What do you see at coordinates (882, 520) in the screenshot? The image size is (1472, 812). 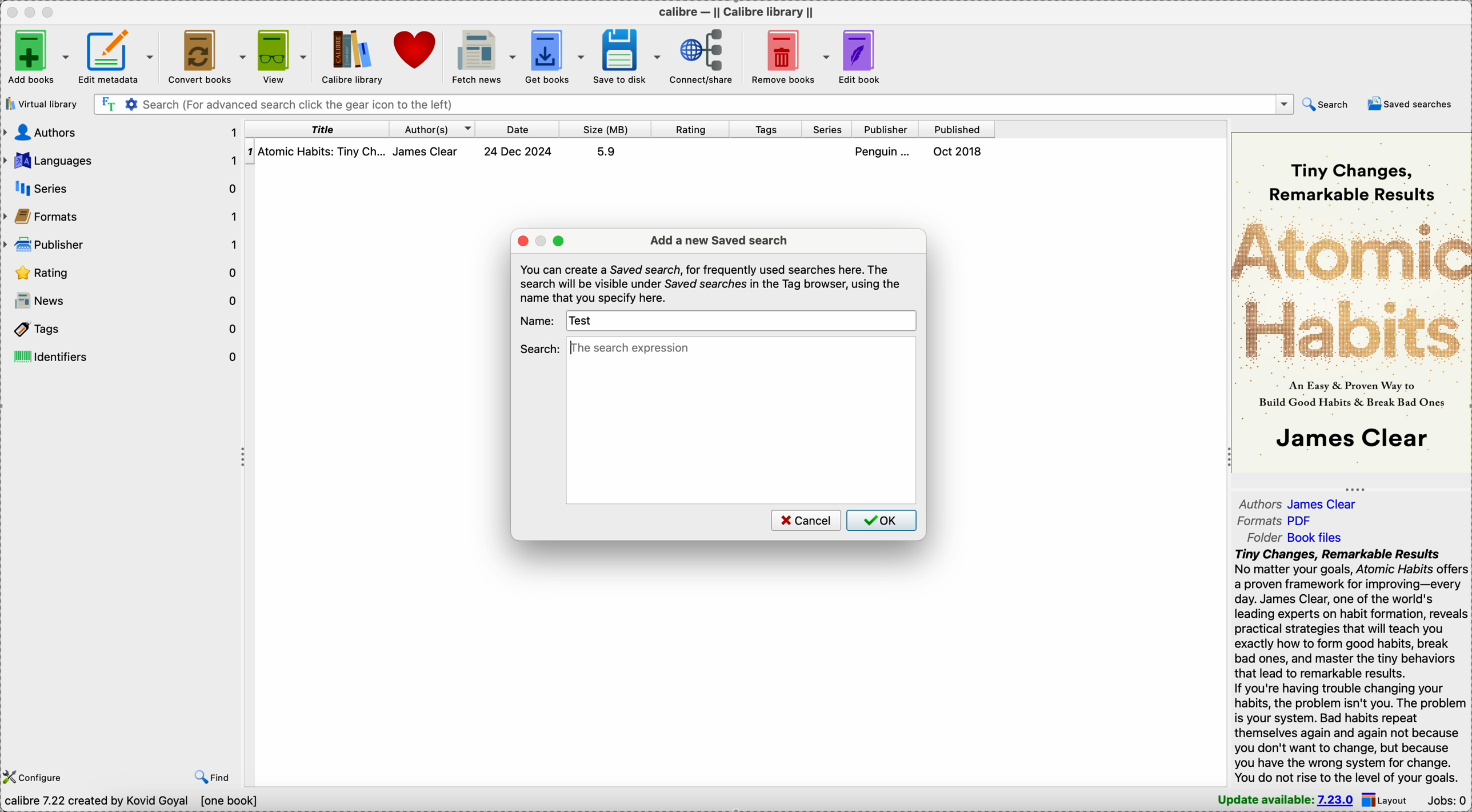 I see `OK` at bounding box center [882, 520].